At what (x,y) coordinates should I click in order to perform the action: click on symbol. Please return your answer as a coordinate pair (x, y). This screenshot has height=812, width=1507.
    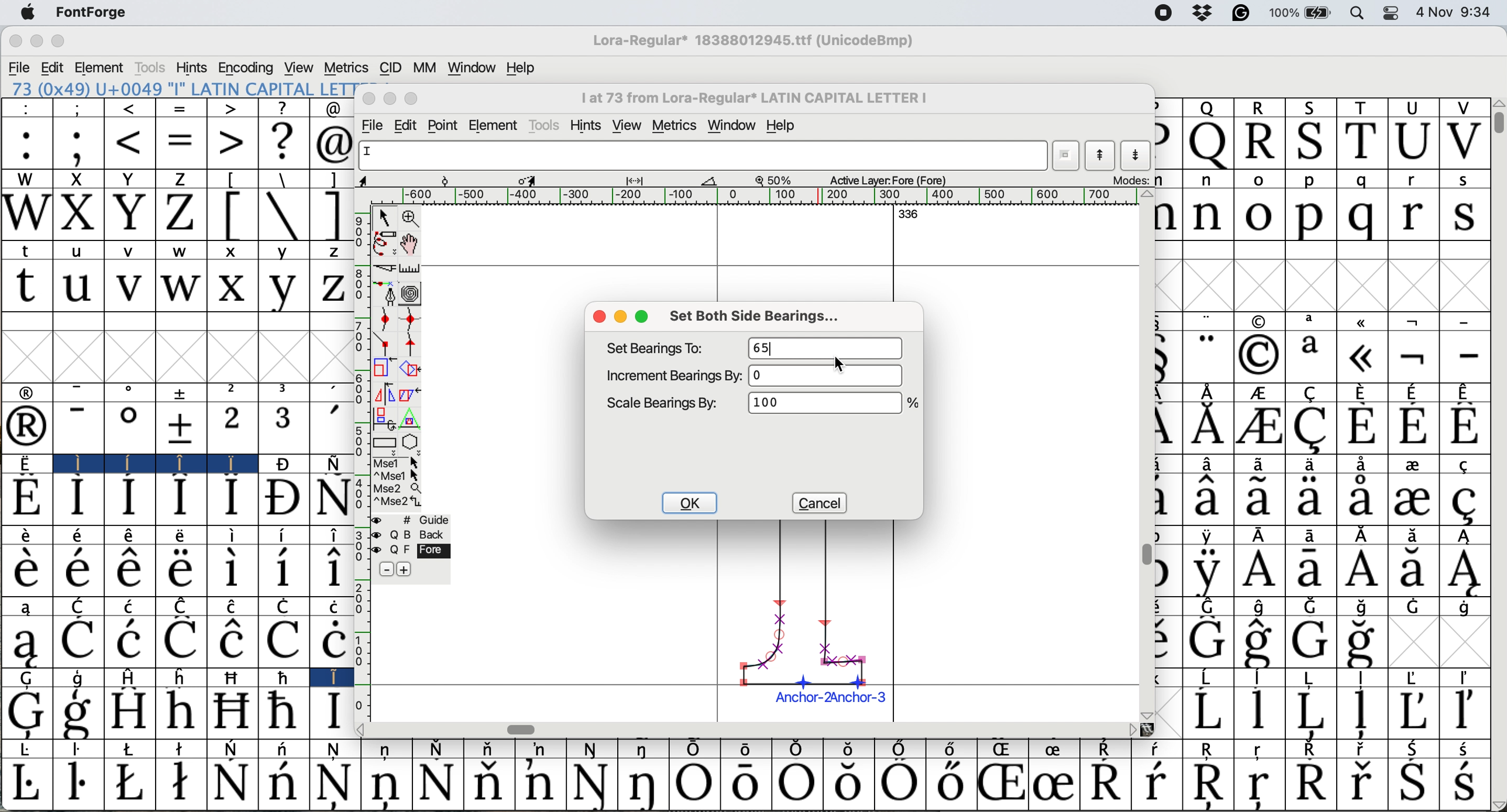
    Looking at the image, I should click on (1417, 319).